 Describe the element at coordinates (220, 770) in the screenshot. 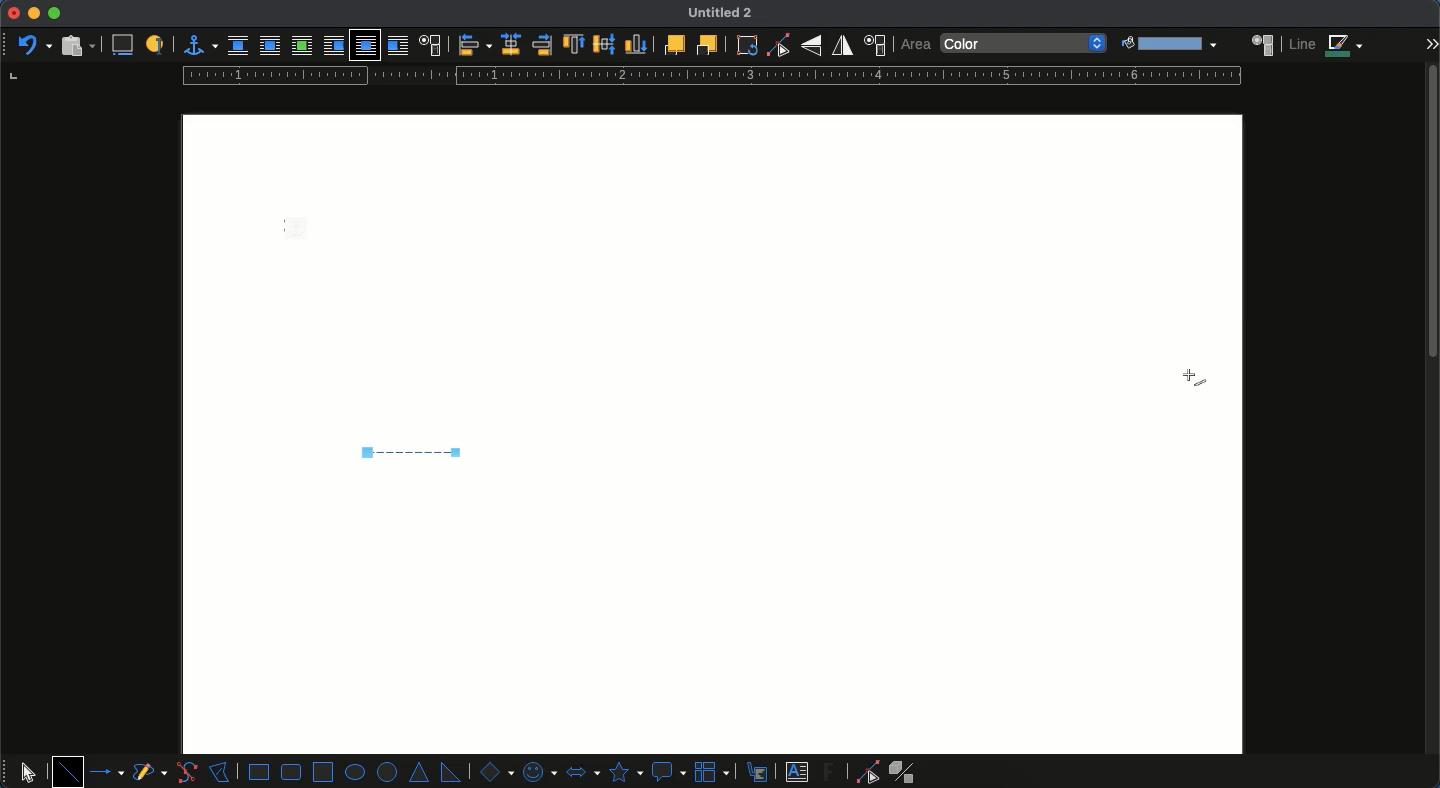

I see `polygon` at that location.